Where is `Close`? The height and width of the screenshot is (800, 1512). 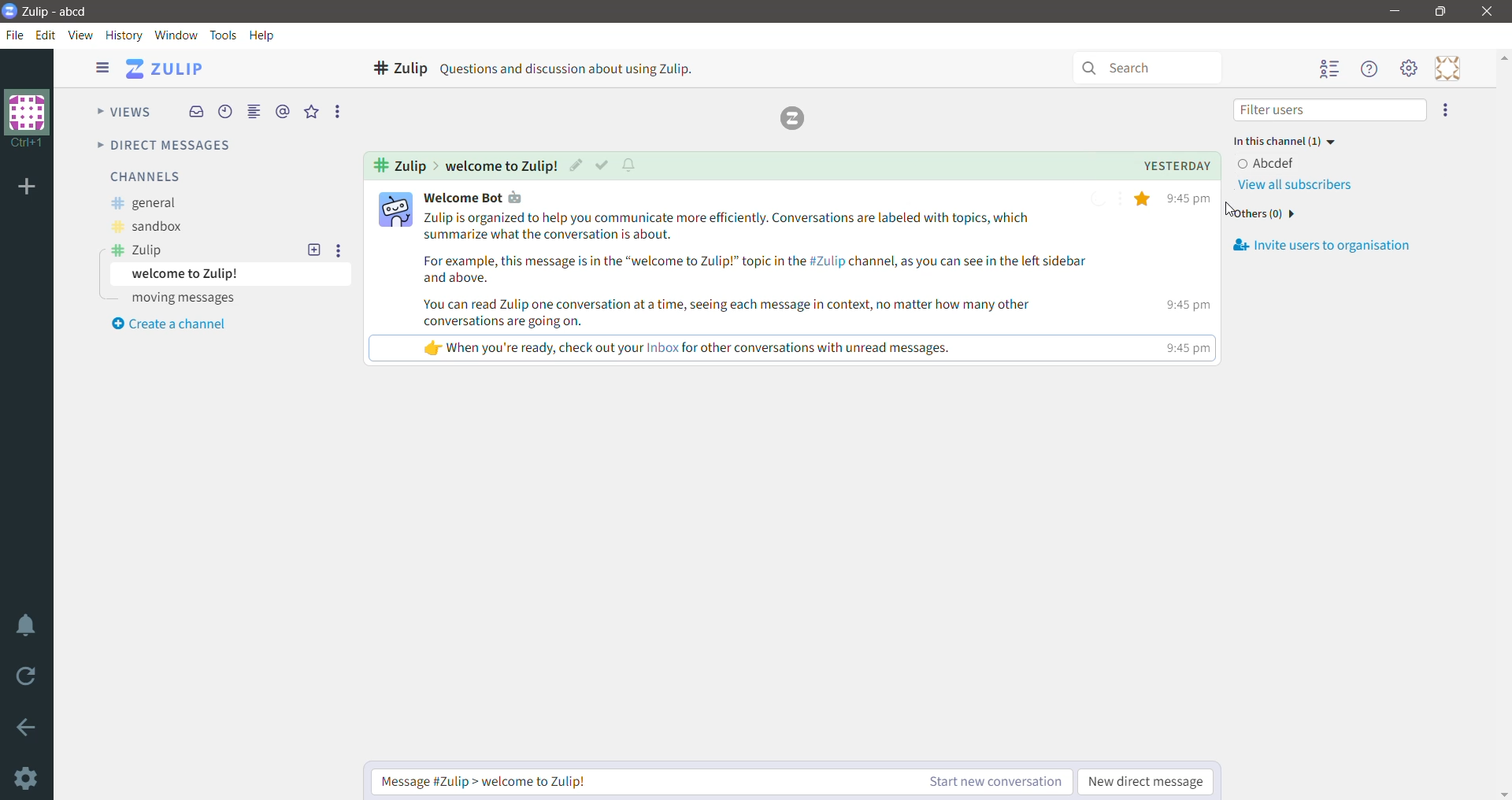 Close is located at coordinates (1490, 11).